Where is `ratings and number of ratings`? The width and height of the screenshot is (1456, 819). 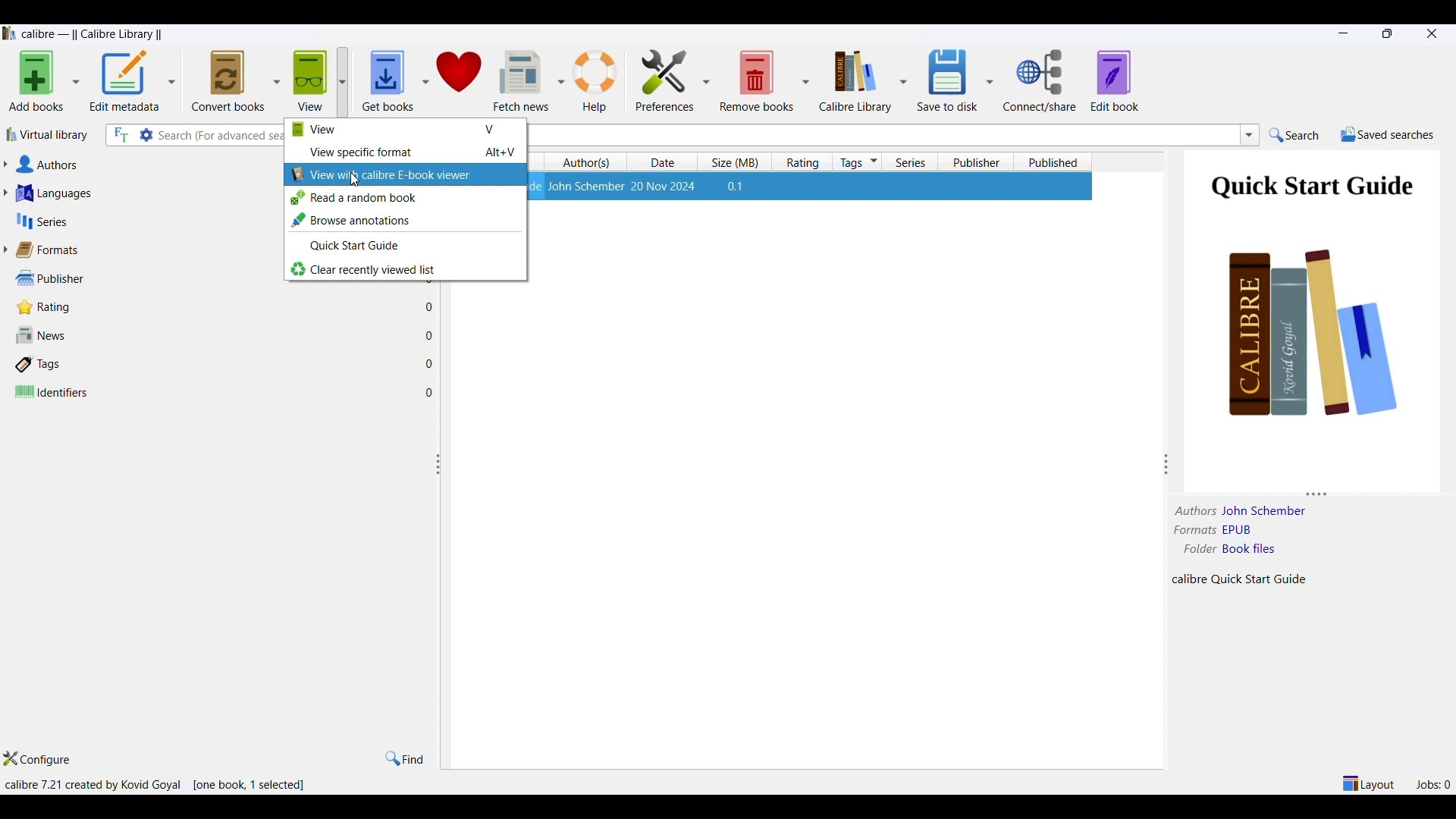
ratings and number of ratings is located at coordinates (227, 307).